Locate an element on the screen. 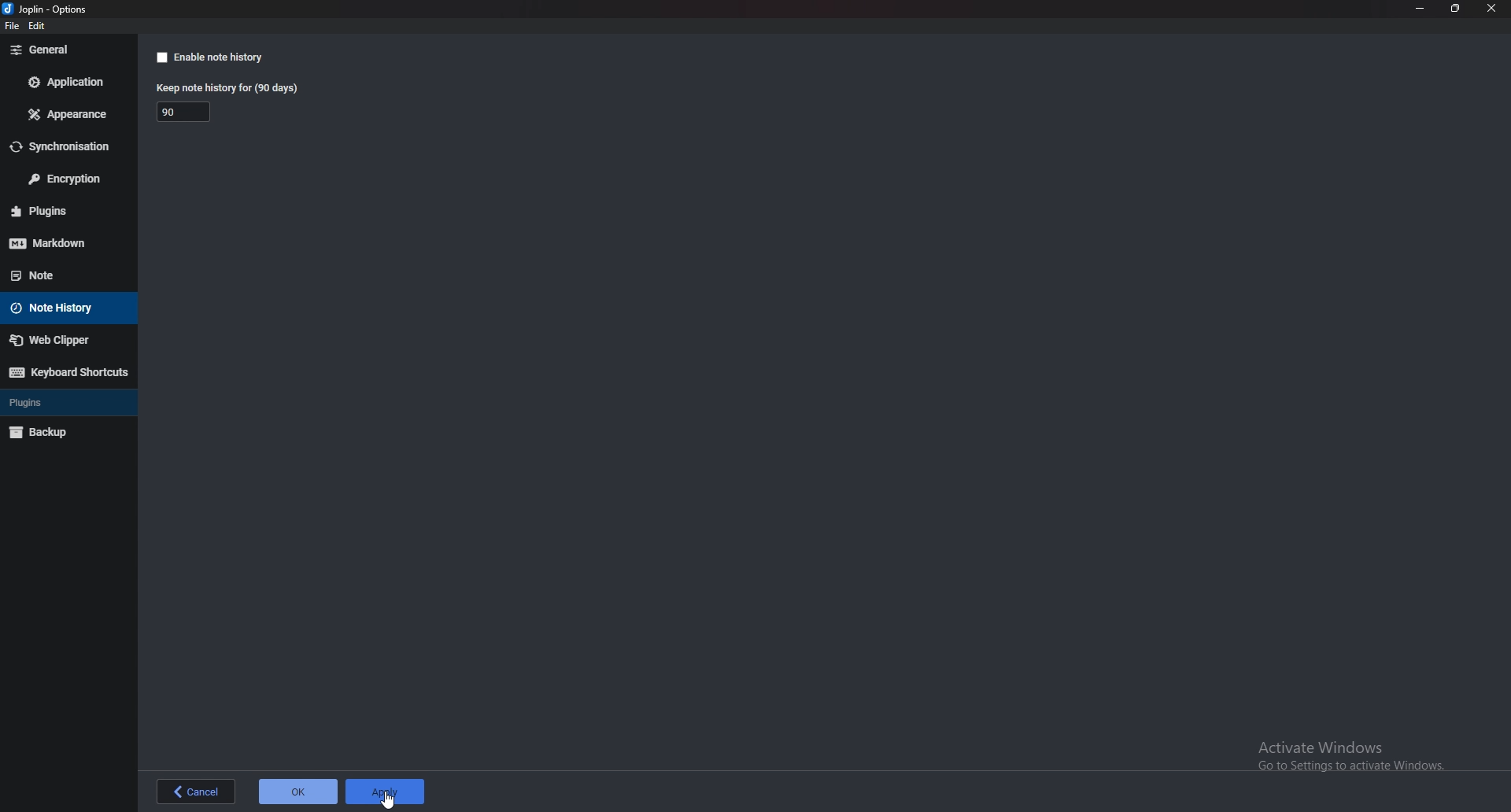  ok is located at coordinates (296, 792).